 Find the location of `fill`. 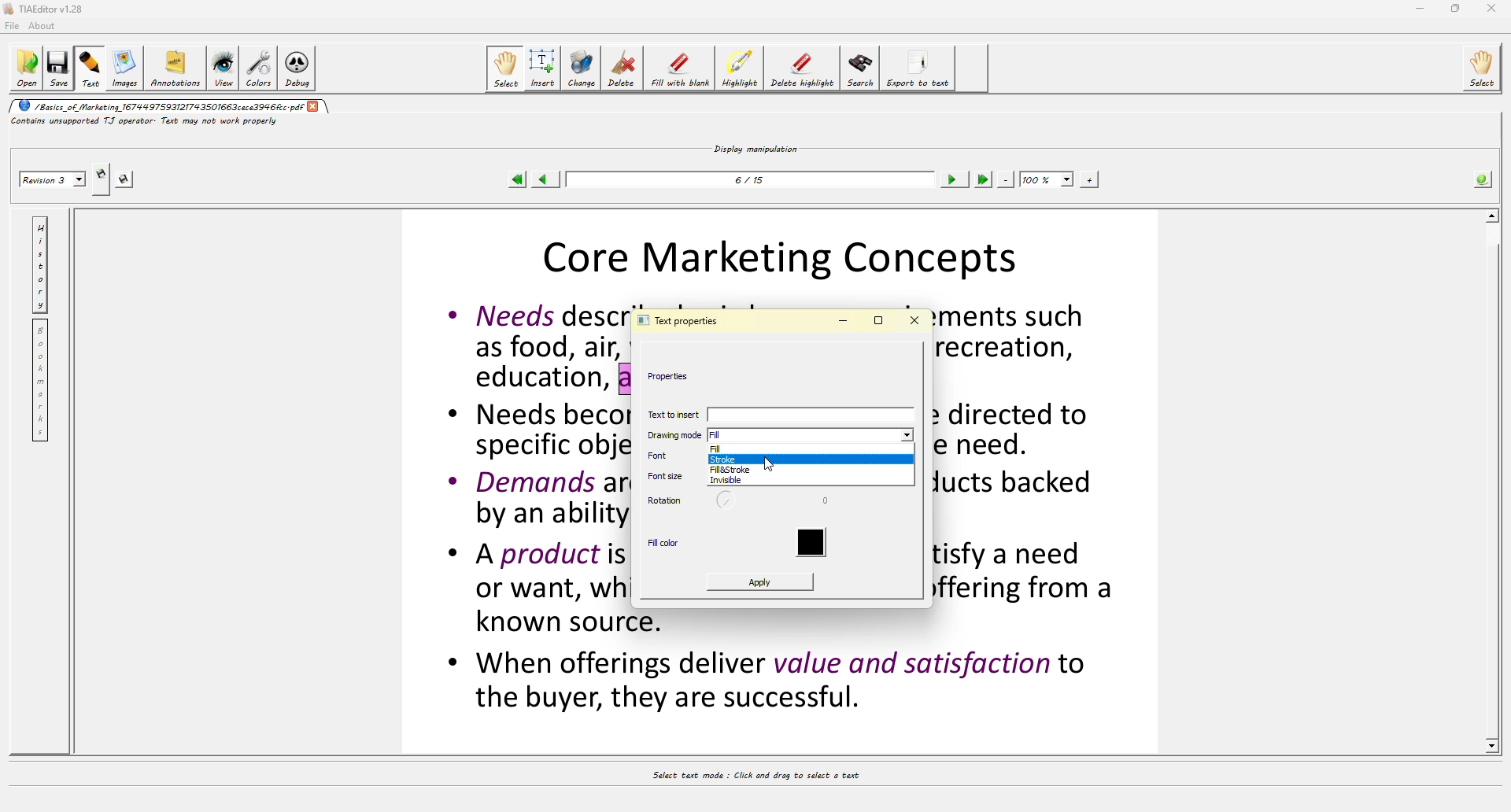

fill is located at coordinates (718, 448).